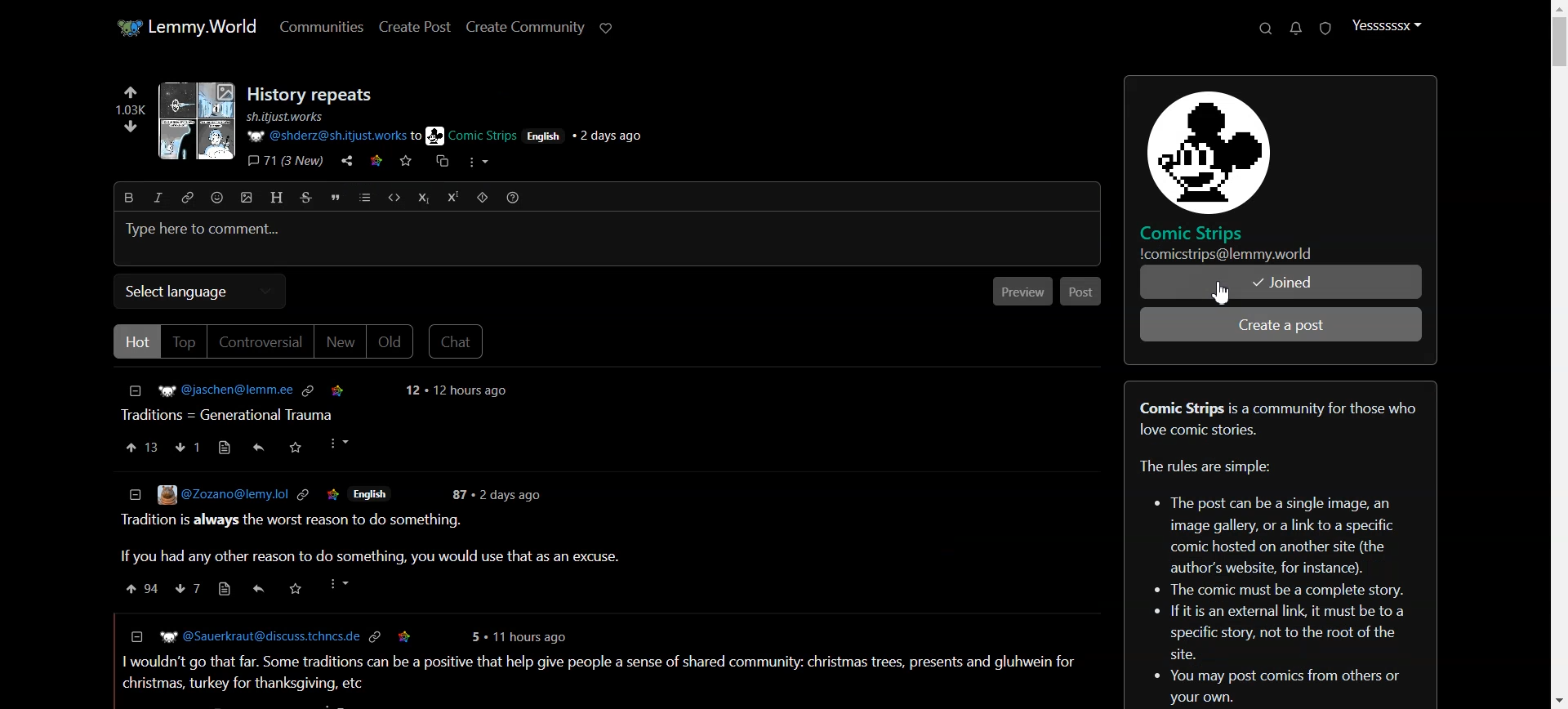  What do you see at coordinates (203, 589) in the screenshot?
I see `Comment` at bounding box center [203, 589].